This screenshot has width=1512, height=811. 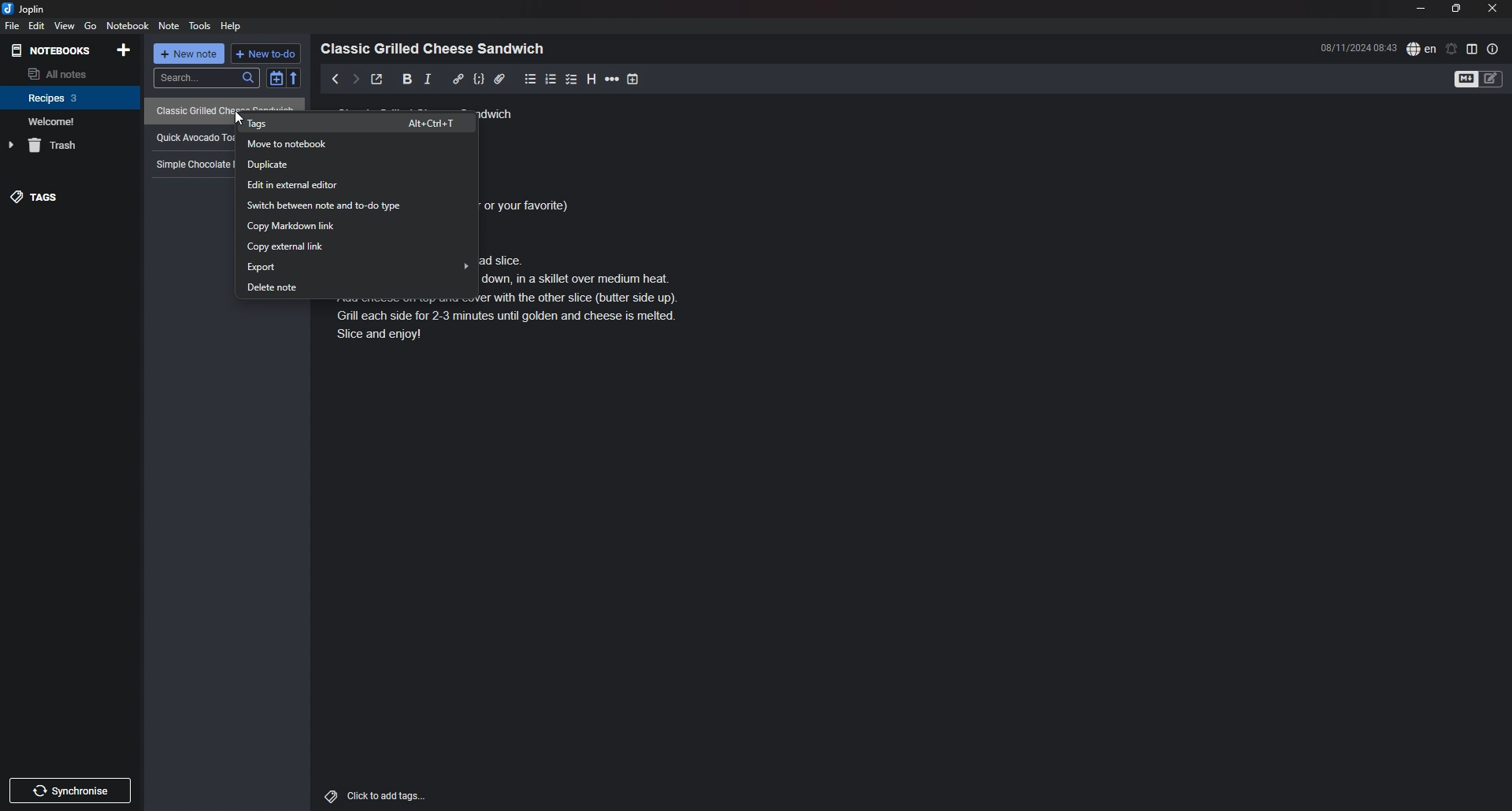 What do you see at coordinates (354, 144) in the screenshot?
I see `move to notebook` at bounding box center [354, 144].